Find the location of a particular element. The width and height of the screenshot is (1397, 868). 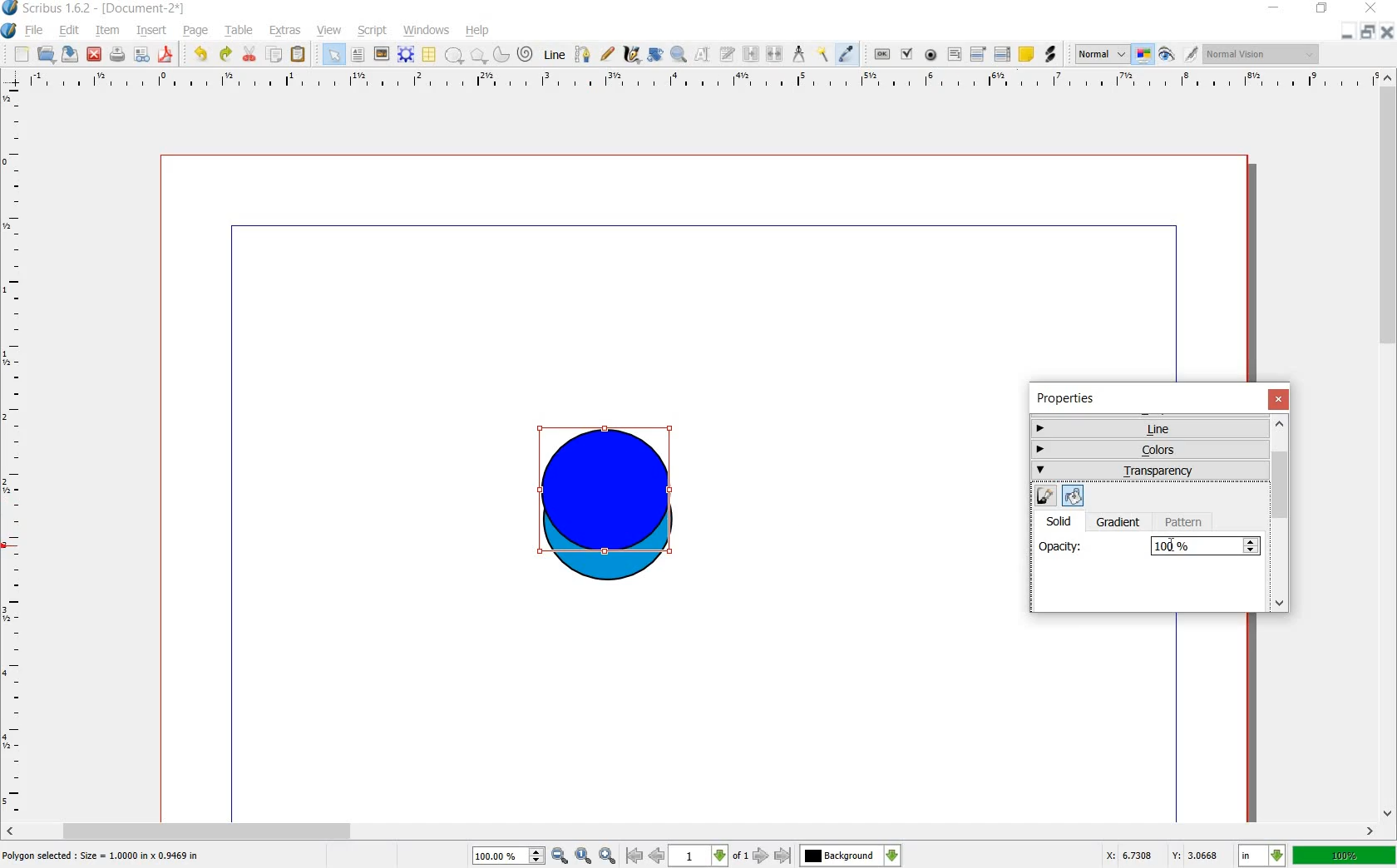

solid is located at coordinates (1065, 520).